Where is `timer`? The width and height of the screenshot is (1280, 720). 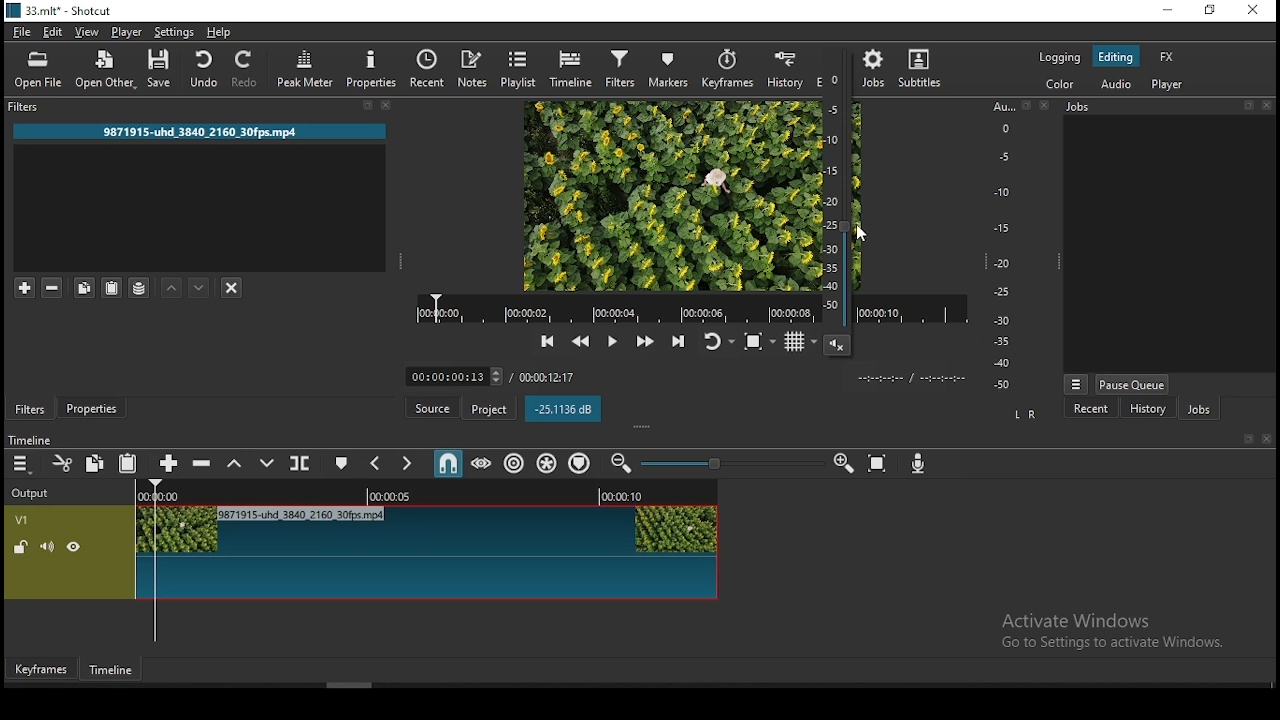
timer is located at coordinates (495, 376).